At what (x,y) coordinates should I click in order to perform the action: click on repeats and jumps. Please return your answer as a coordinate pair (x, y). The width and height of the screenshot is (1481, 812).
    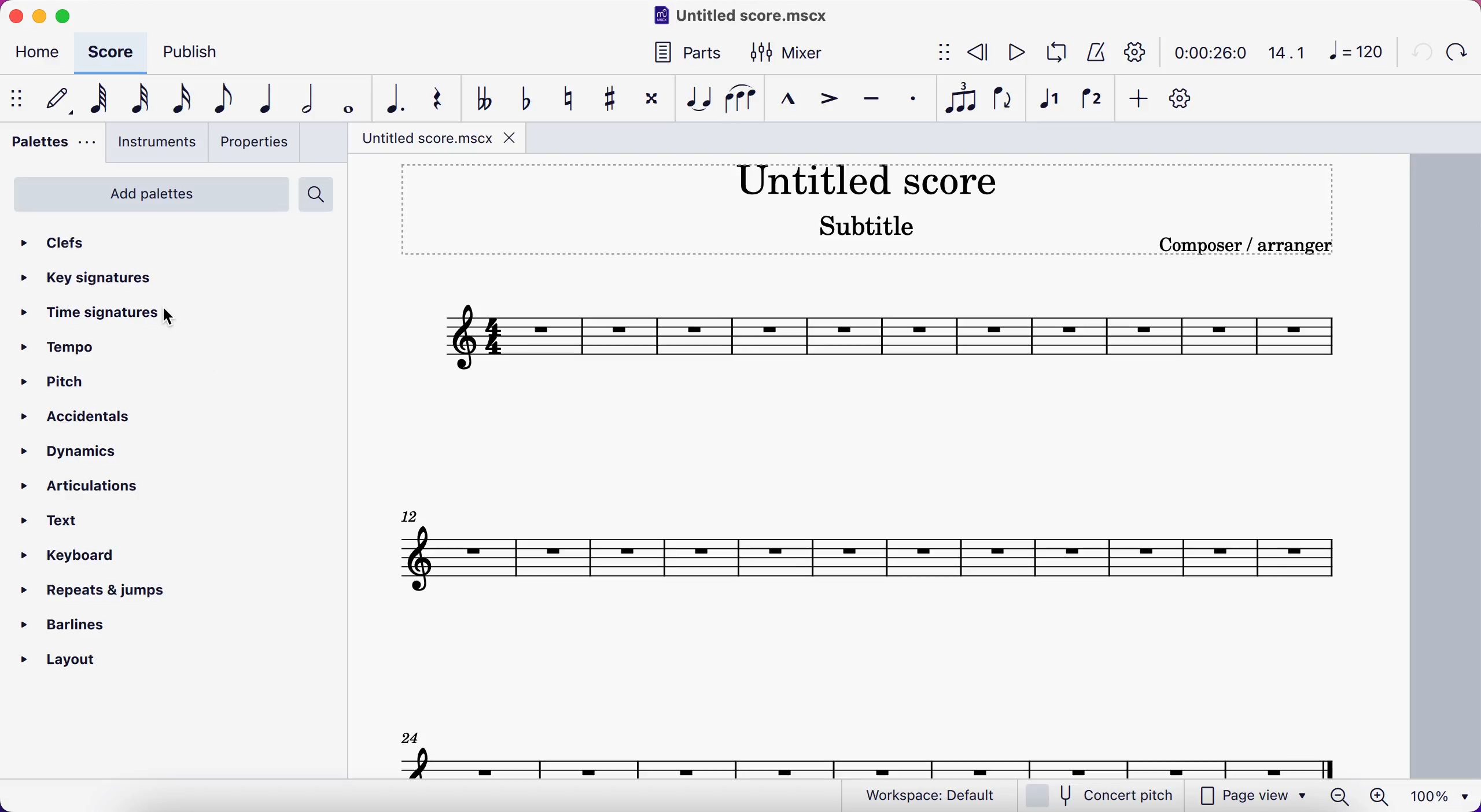
    Looking at the image, I should click on (89, 590).